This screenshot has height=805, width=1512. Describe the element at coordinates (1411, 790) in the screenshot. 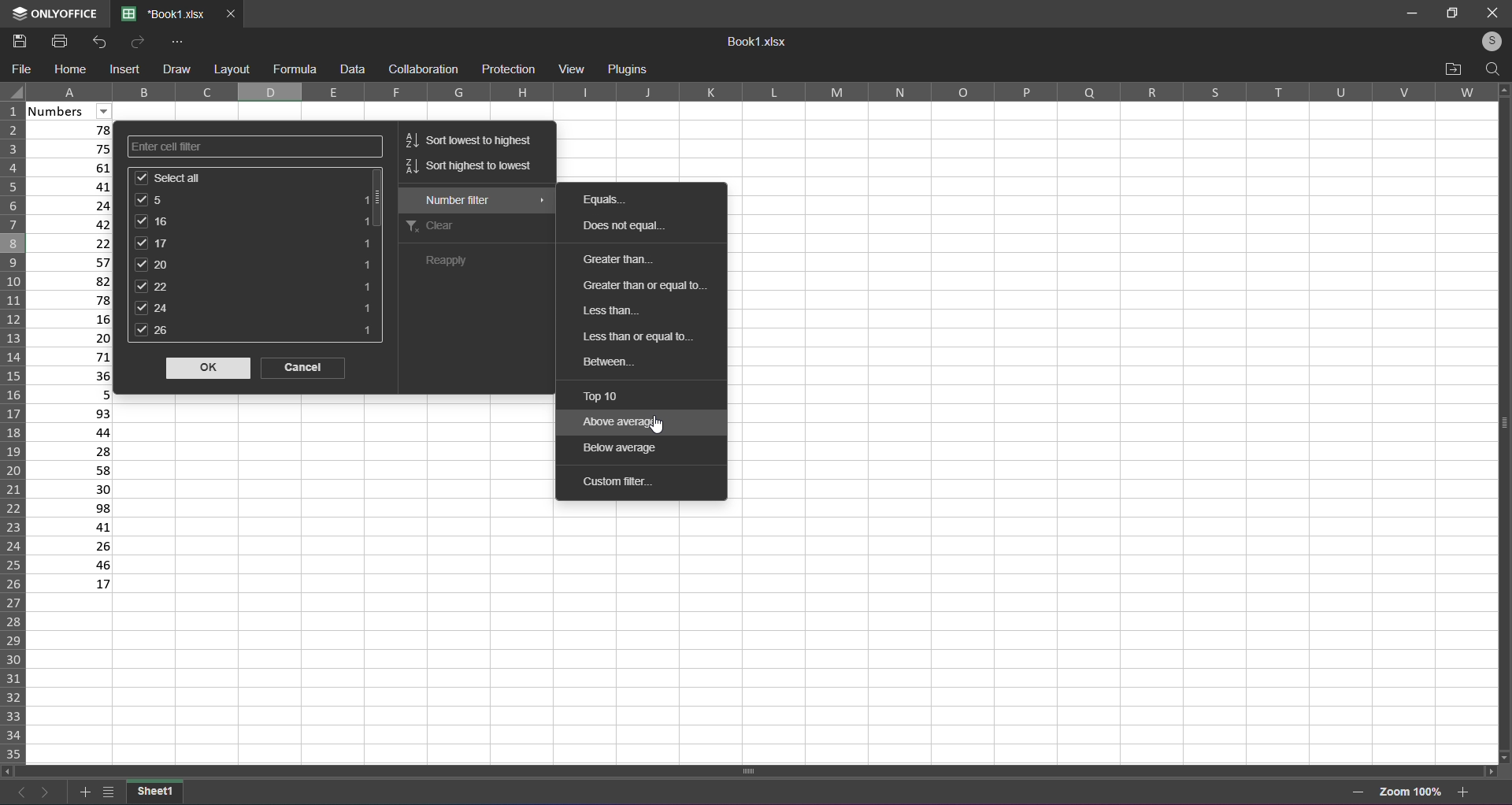

I see `Zoom 100%` at that location.